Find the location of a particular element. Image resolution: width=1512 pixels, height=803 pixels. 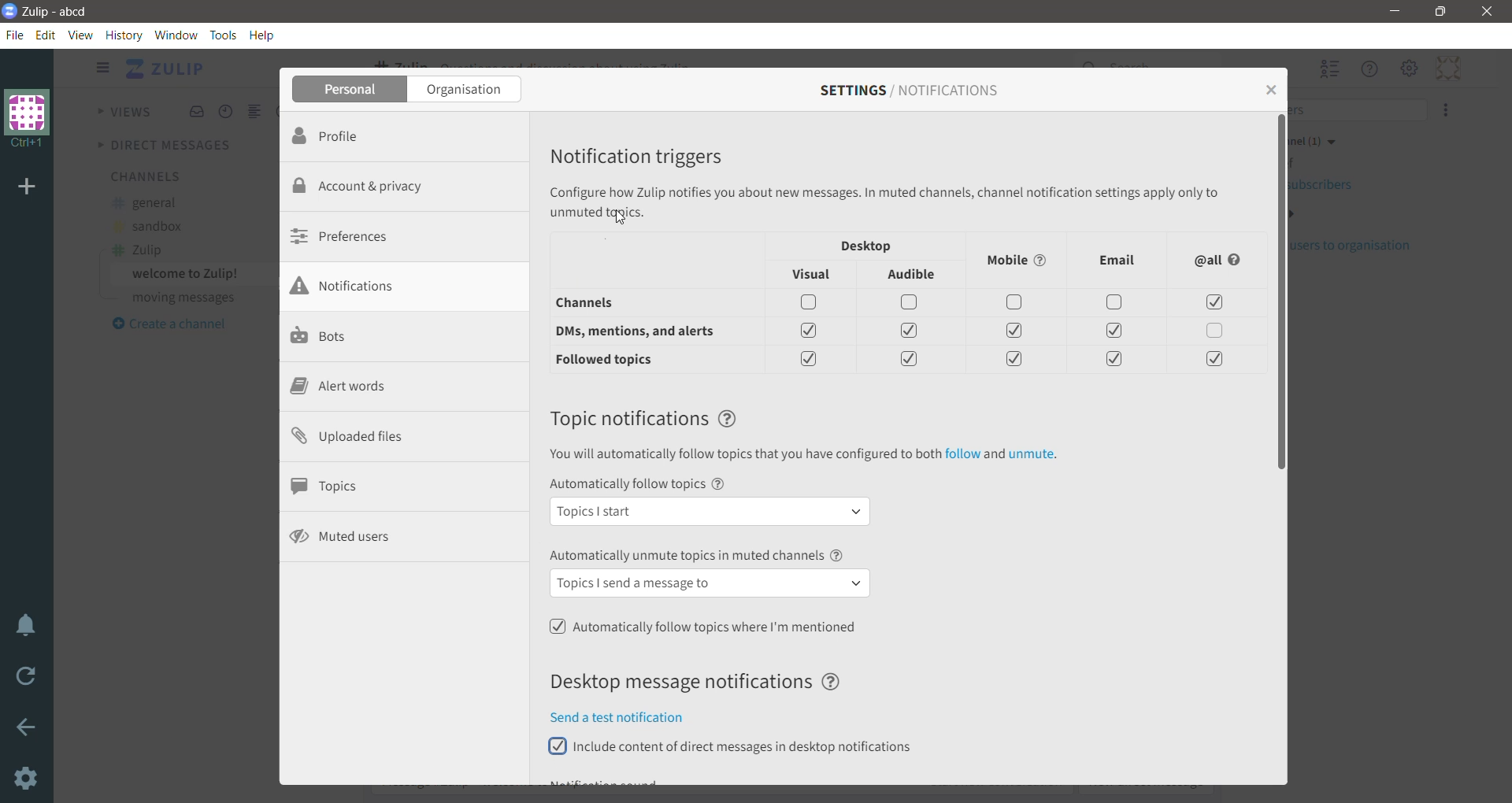

check box is located at coordinates (1217, 332).